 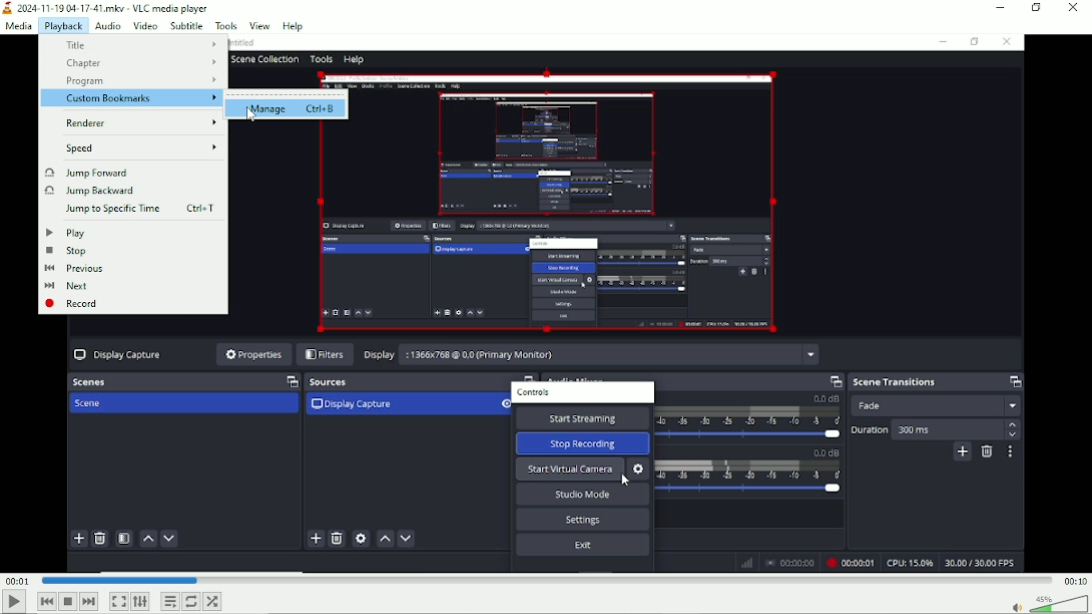 What do you see at coordinates (106, 25) in the screenshot?
I see `Audio` at bounding box center [106, 25].